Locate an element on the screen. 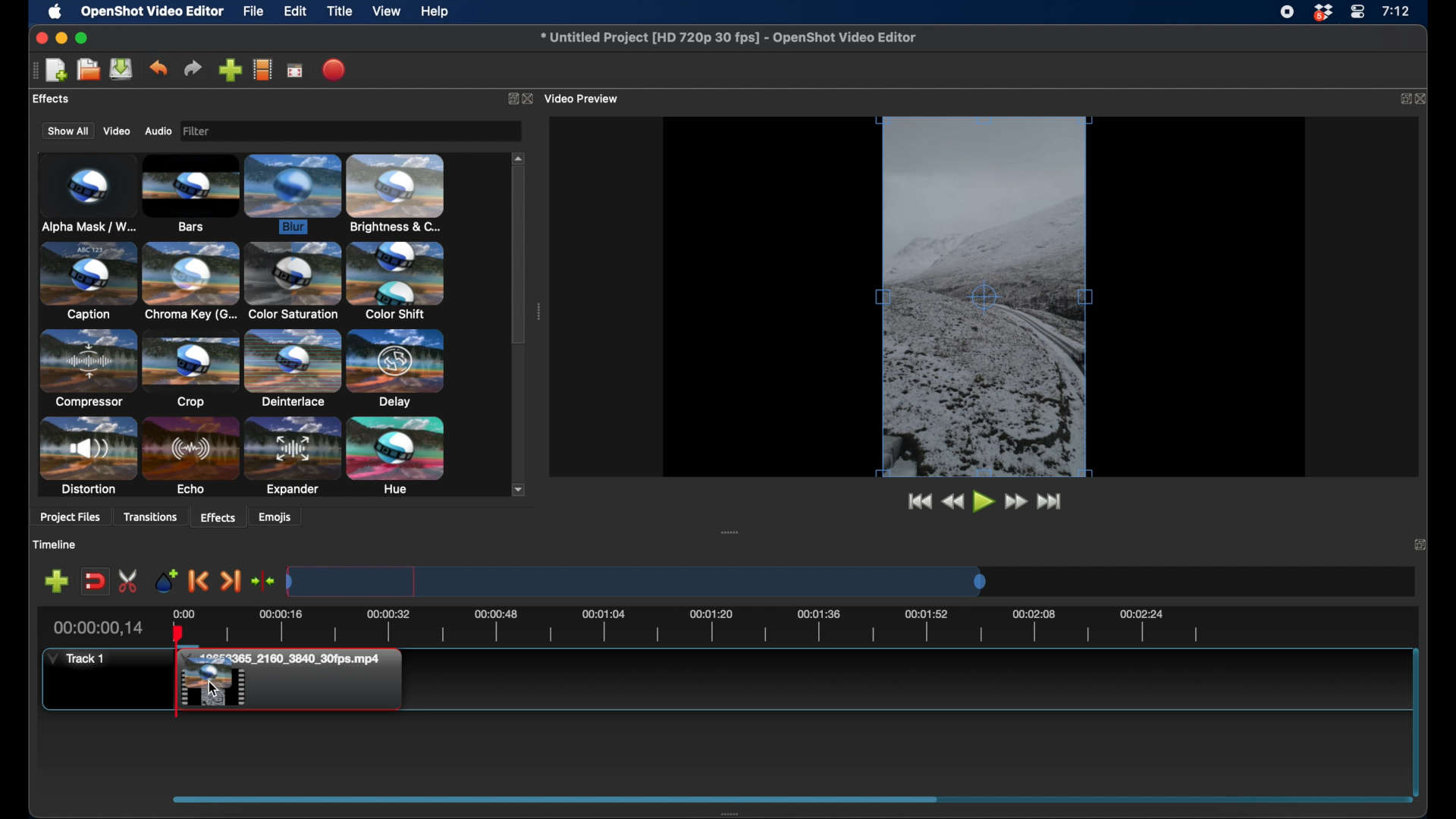  timeline scale is located at coordinates (637, 581).